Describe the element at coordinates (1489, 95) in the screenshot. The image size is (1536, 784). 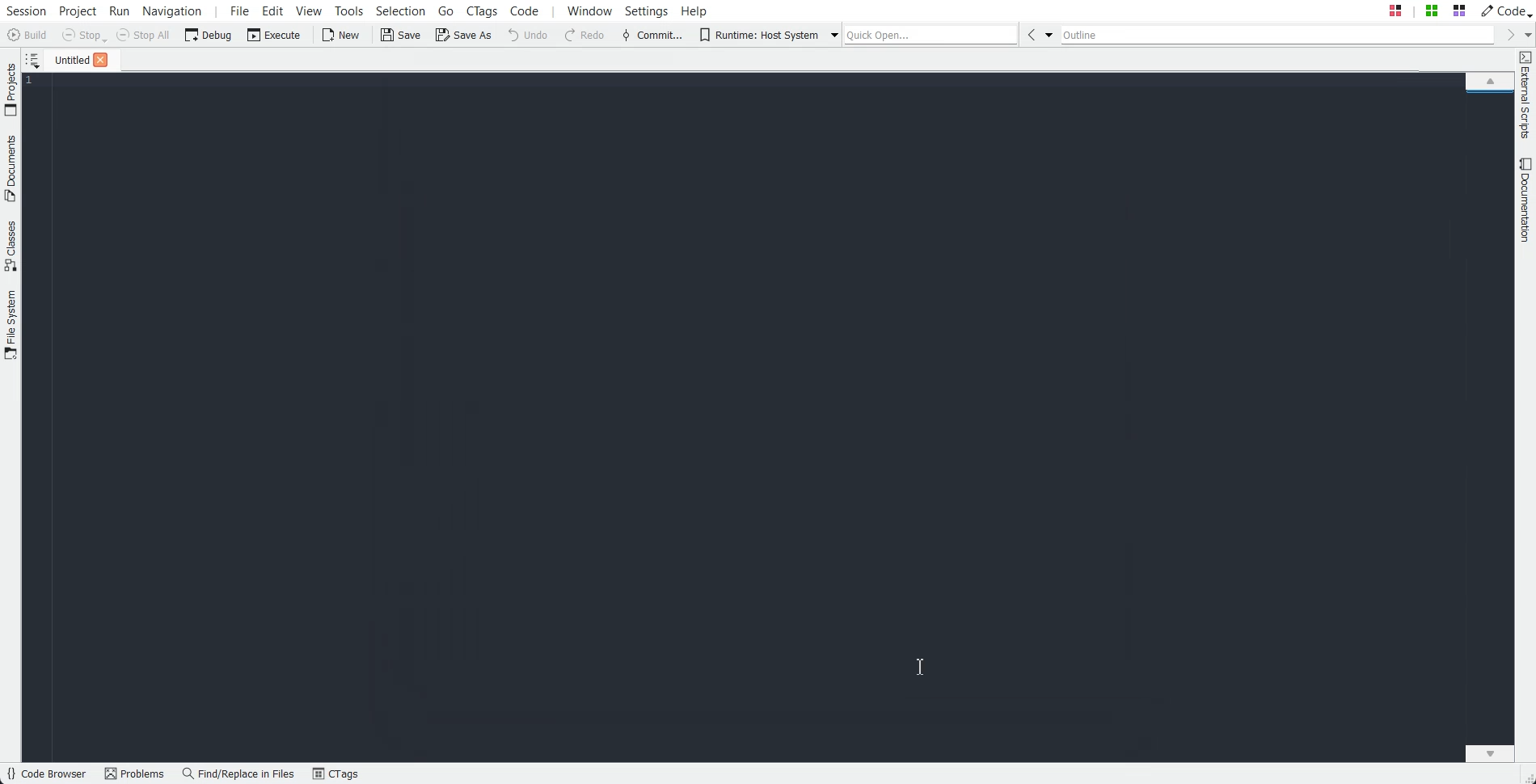
I see `File Overview` at that location.